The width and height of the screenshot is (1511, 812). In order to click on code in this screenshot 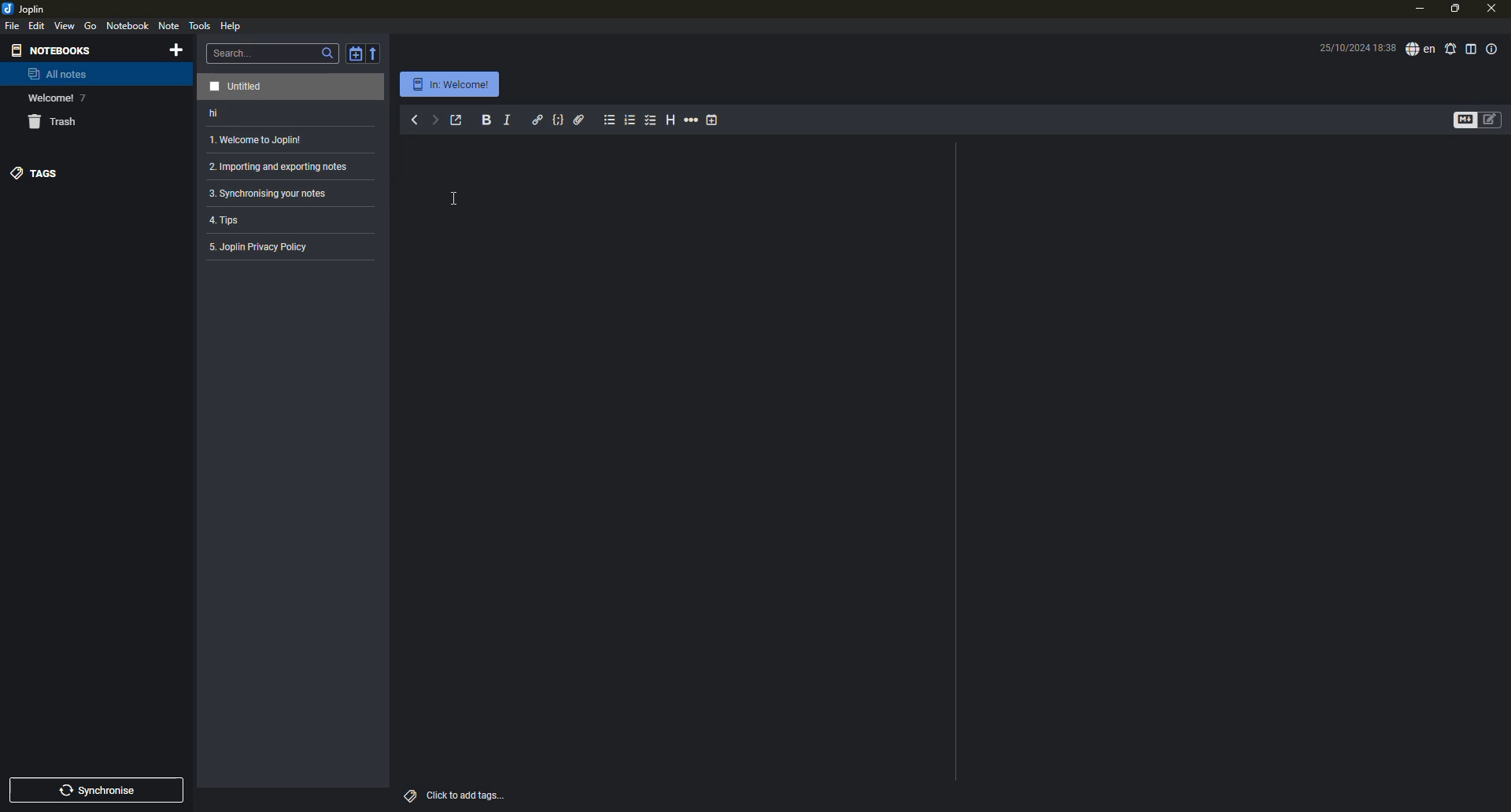, I will do `click(559, 119)`.